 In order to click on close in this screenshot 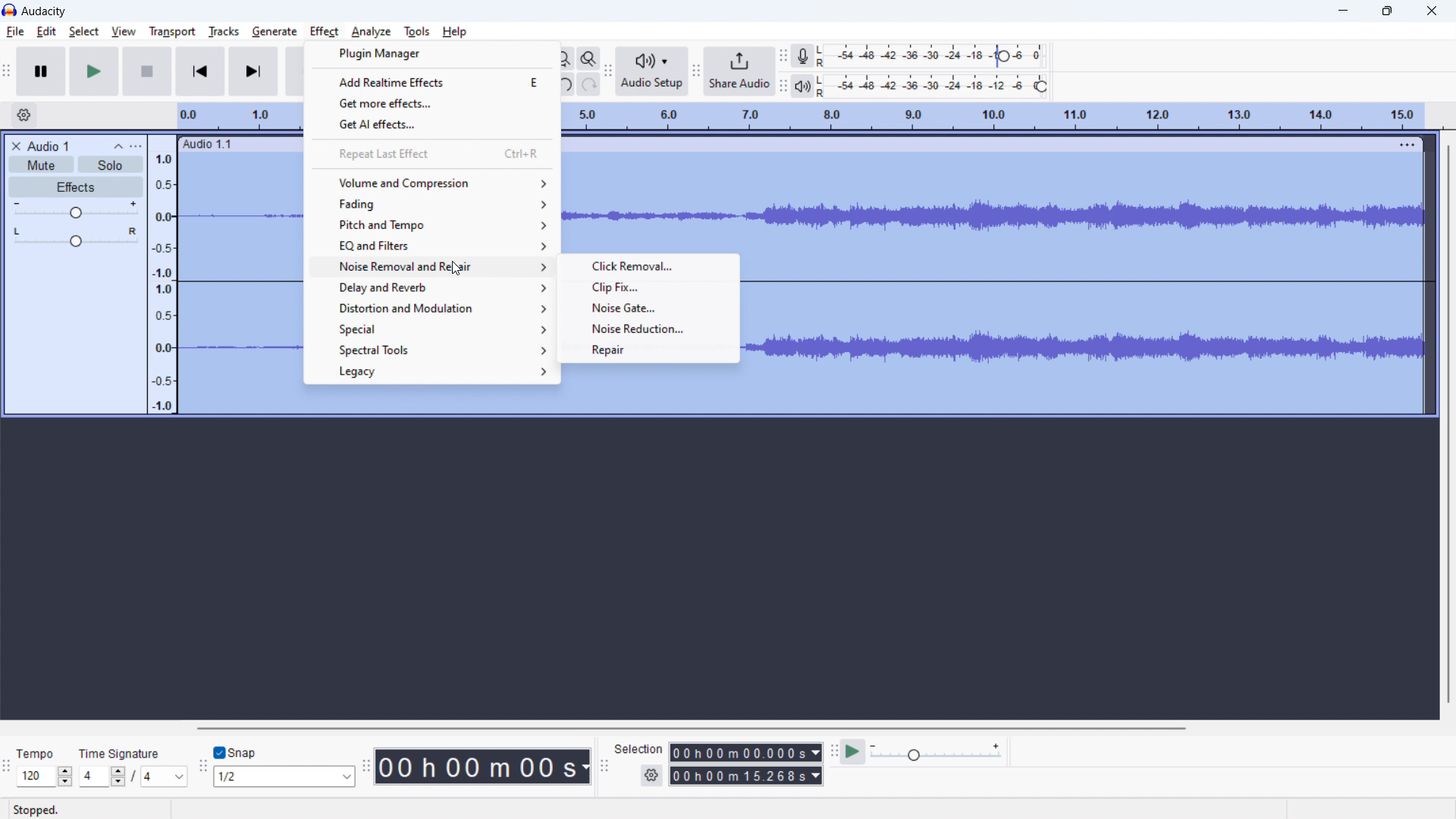, I will do `click(1432, 11)`.